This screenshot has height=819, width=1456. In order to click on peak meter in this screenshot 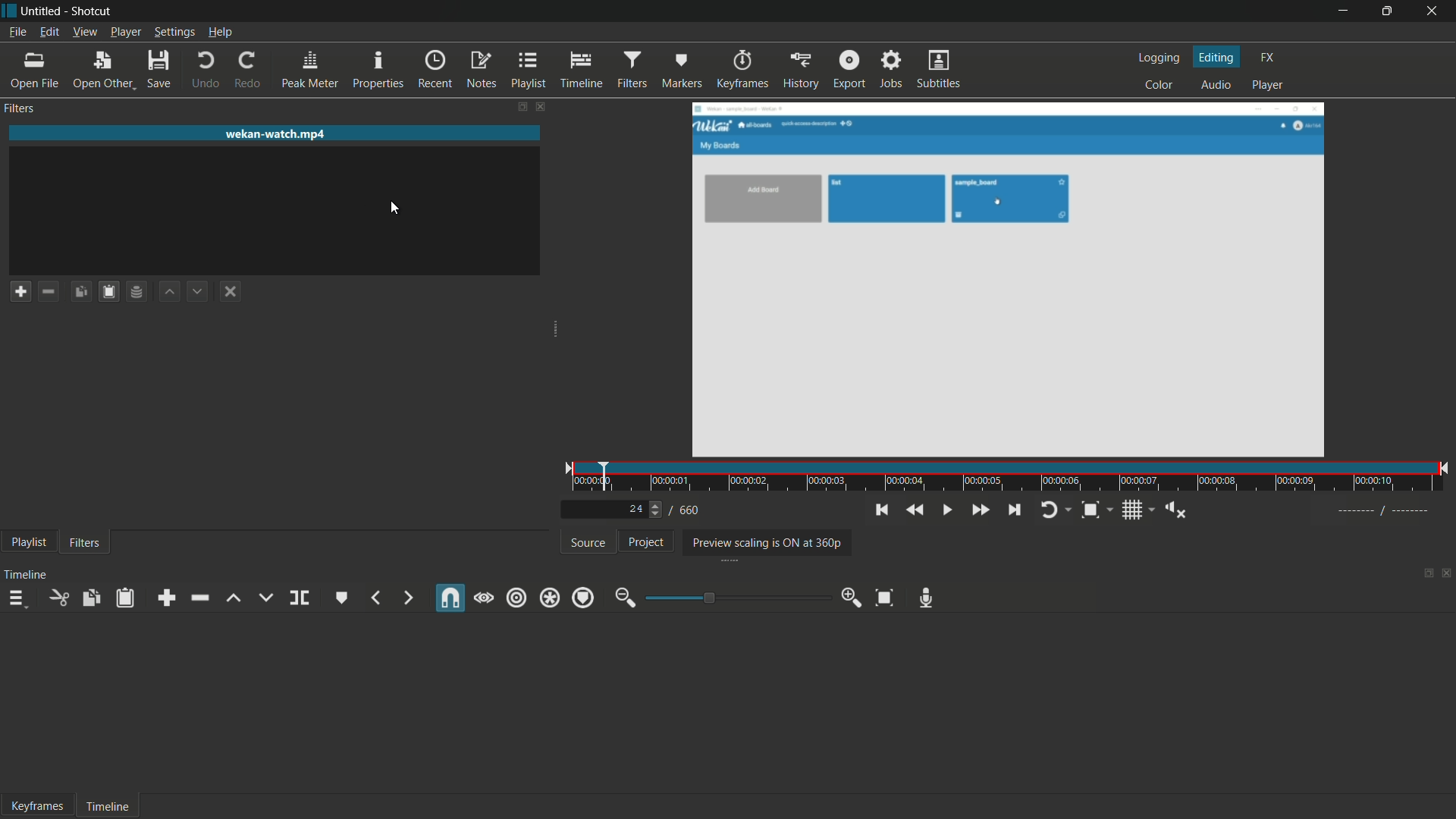, I will do `click(308, 69)`.